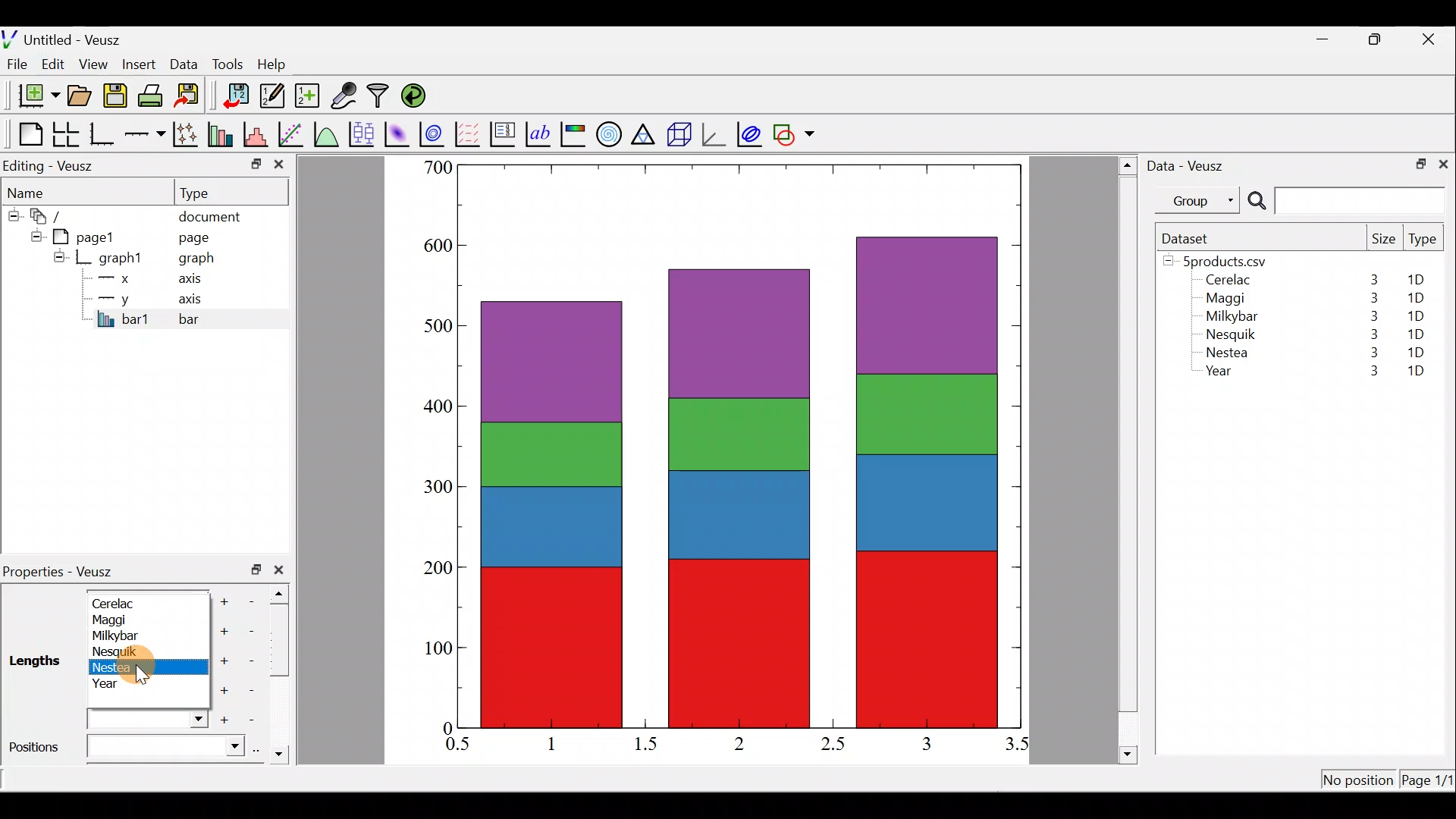 This screenshot has height=819, width=1456. Describe the element at coordinates (504, 133) in the screenshot. I see `Plot key` at that location.